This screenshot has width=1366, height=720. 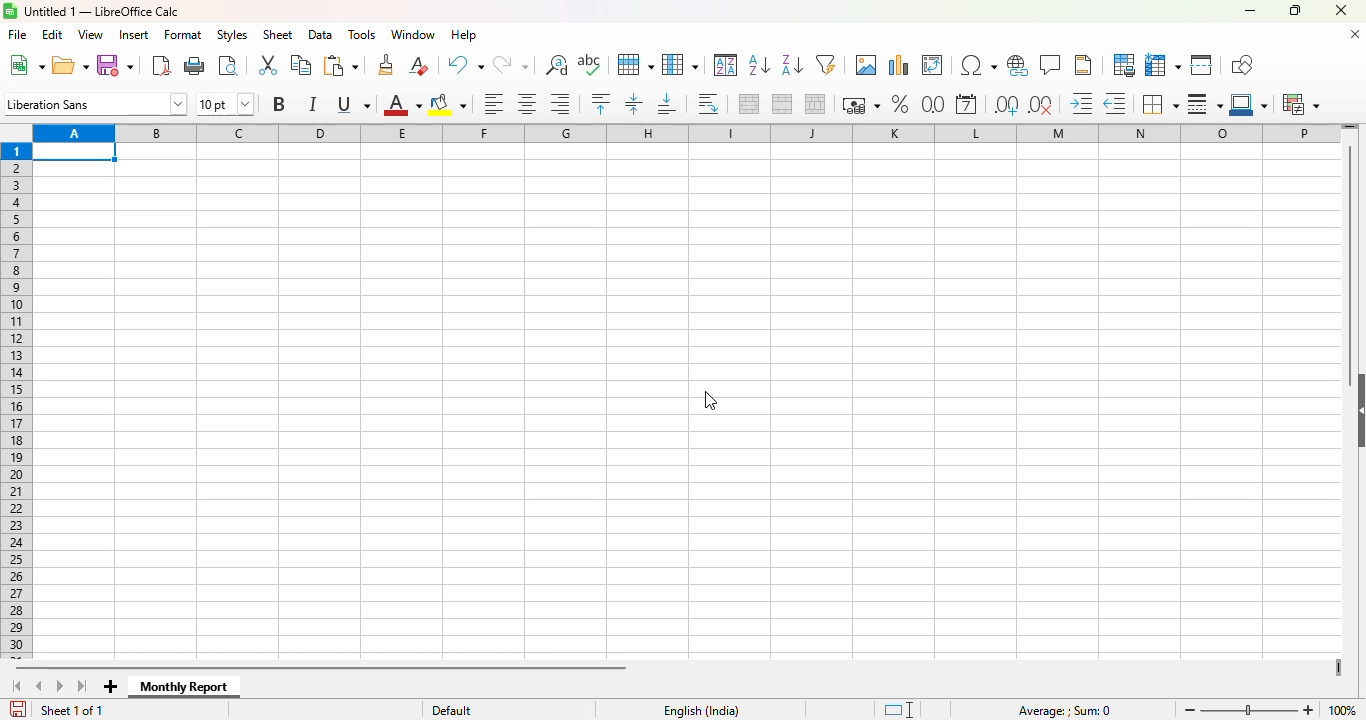 I want to click on click to save the document, so click(x=18, y=708).